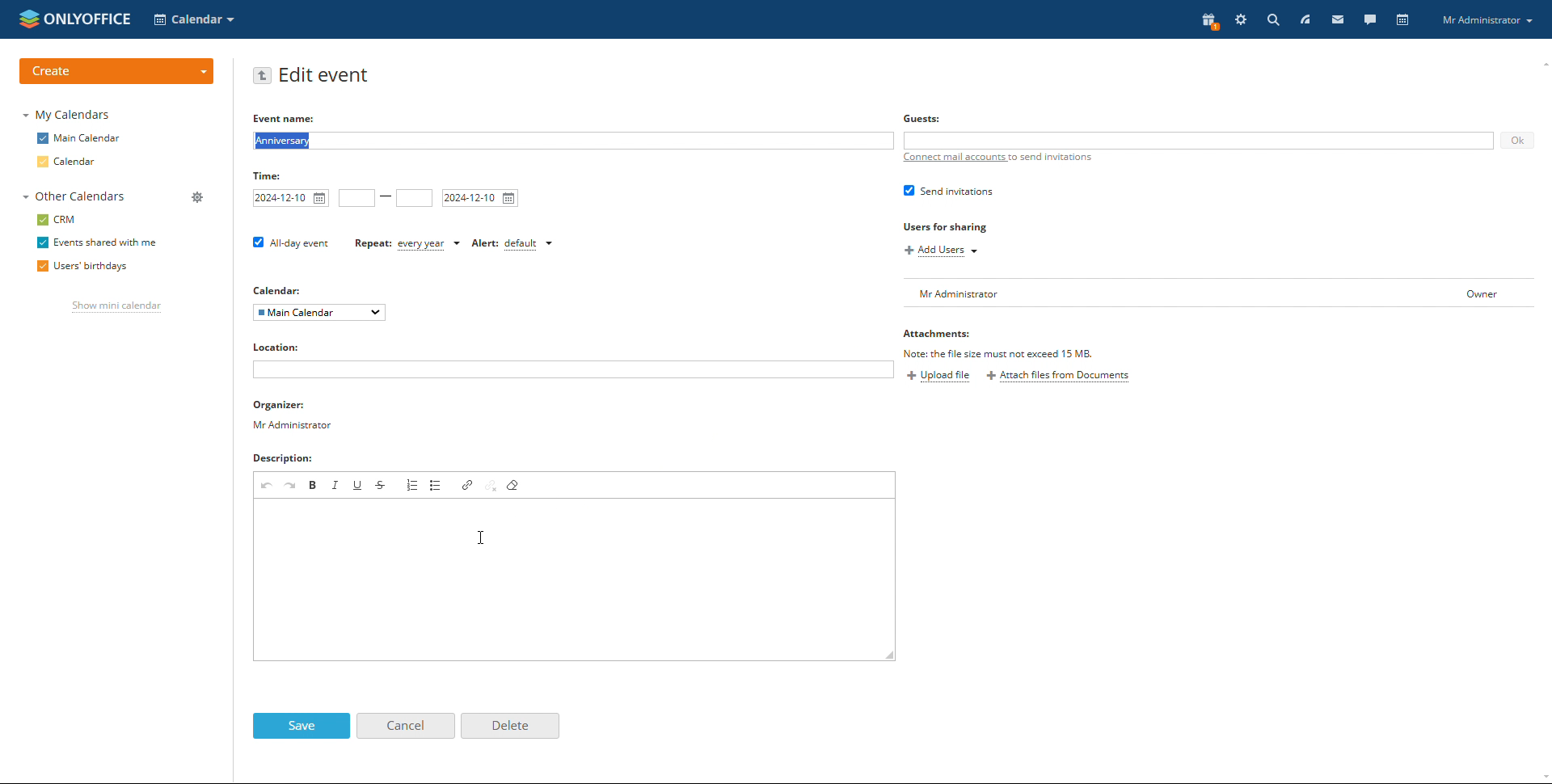 This screenshot has width=1552, height=784. Describe the element at coordinates (359, 484) in the screenshot. I see `underline` at that location.